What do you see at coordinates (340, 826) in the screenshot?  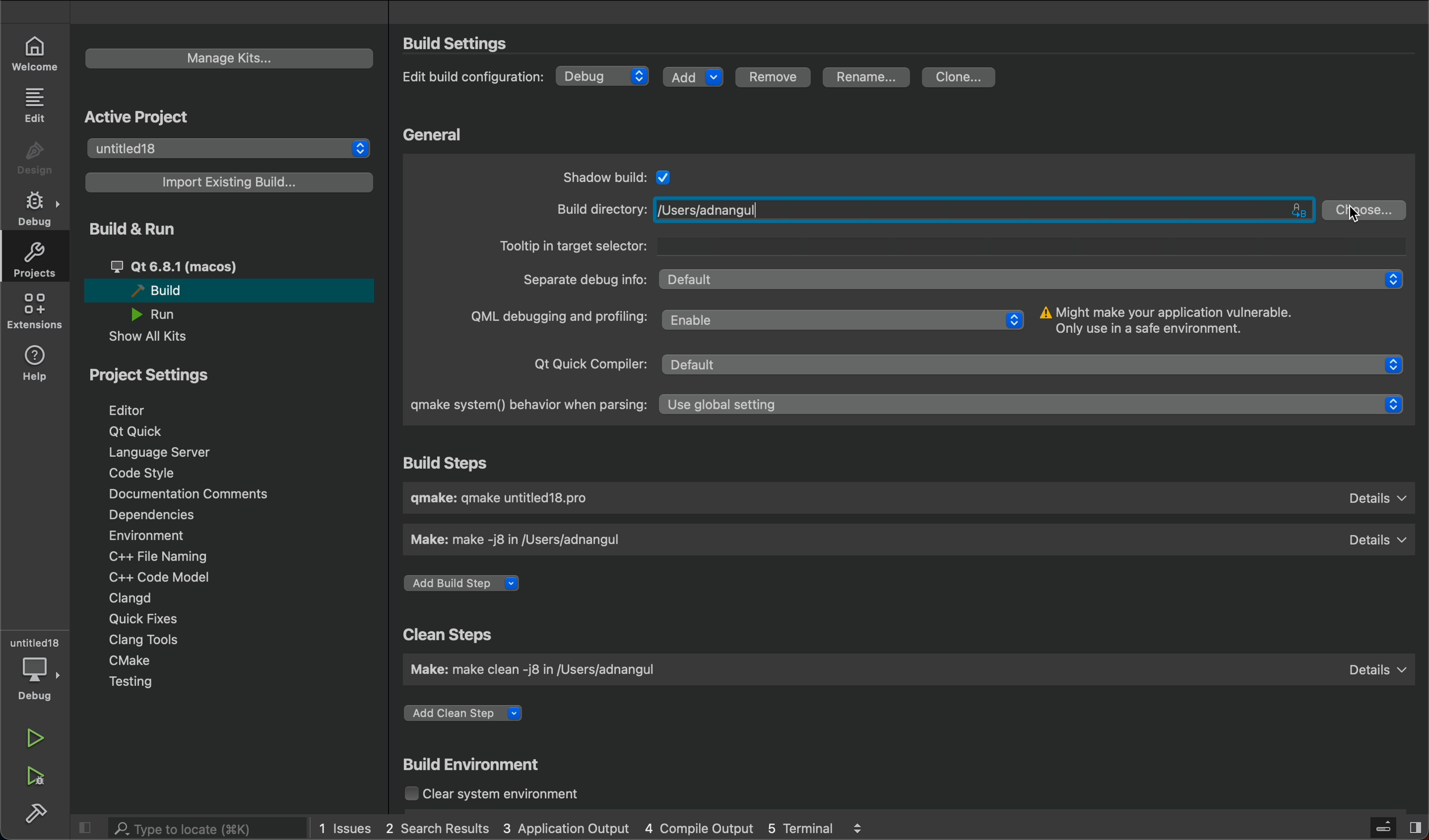 I see `1 Issues` at bounding box center [340, 826].